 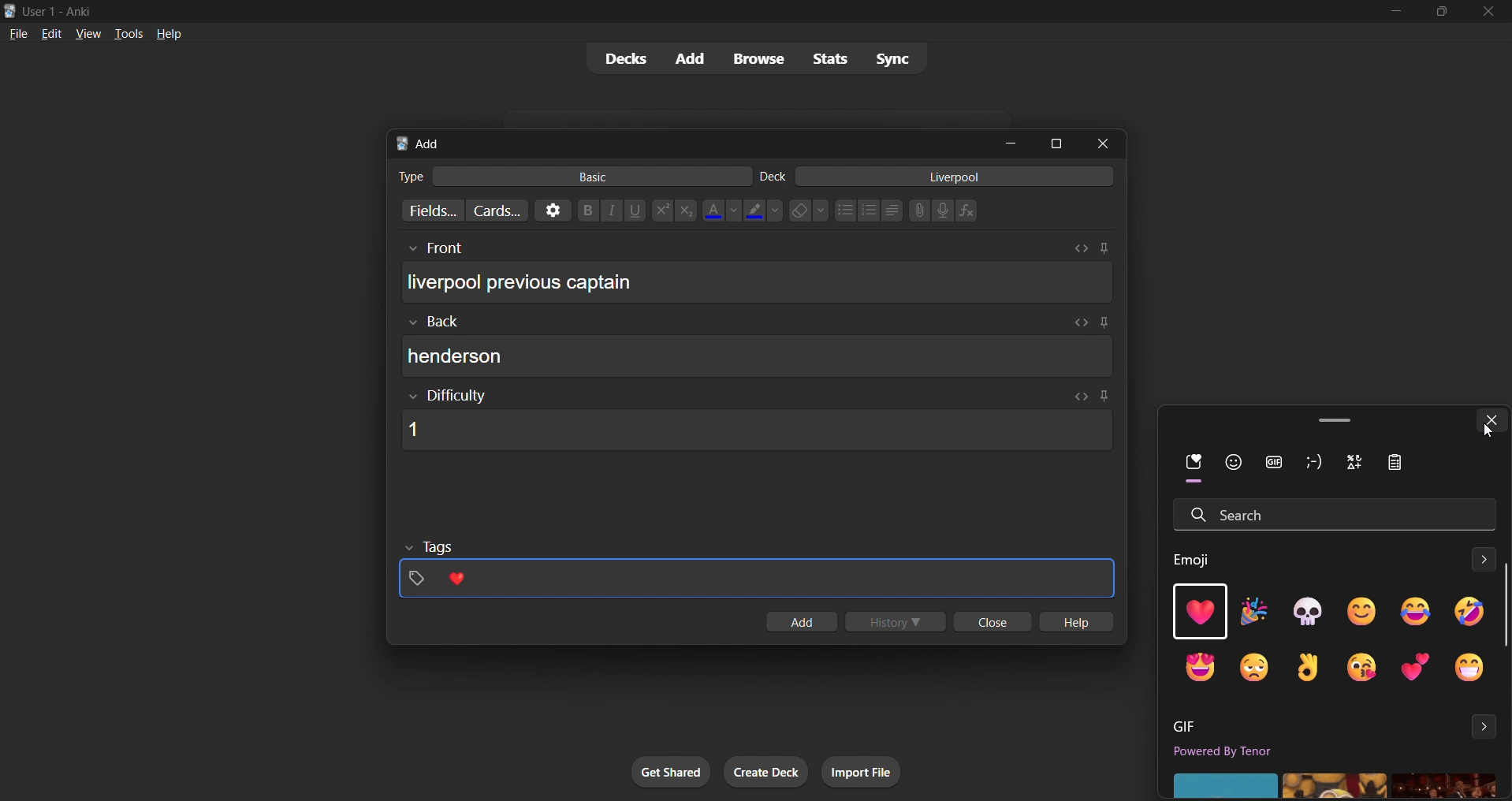 What do you see at coordinates (940, 179) in the screenshot?
I see `card deck input box` at bounding box center [940, 179].